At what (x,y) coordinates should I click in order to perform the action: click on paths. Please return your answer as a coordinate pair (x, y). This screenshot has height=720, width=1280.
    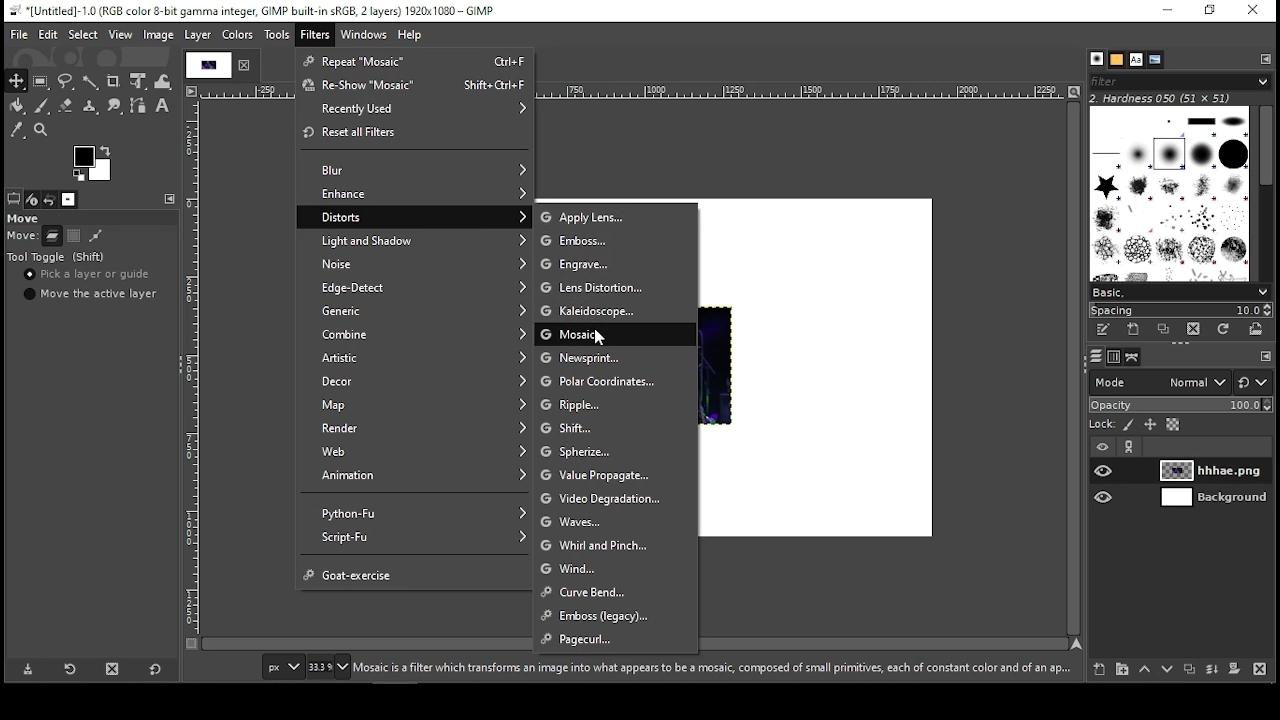
    Looking at the image, I should click on (1134, 356).